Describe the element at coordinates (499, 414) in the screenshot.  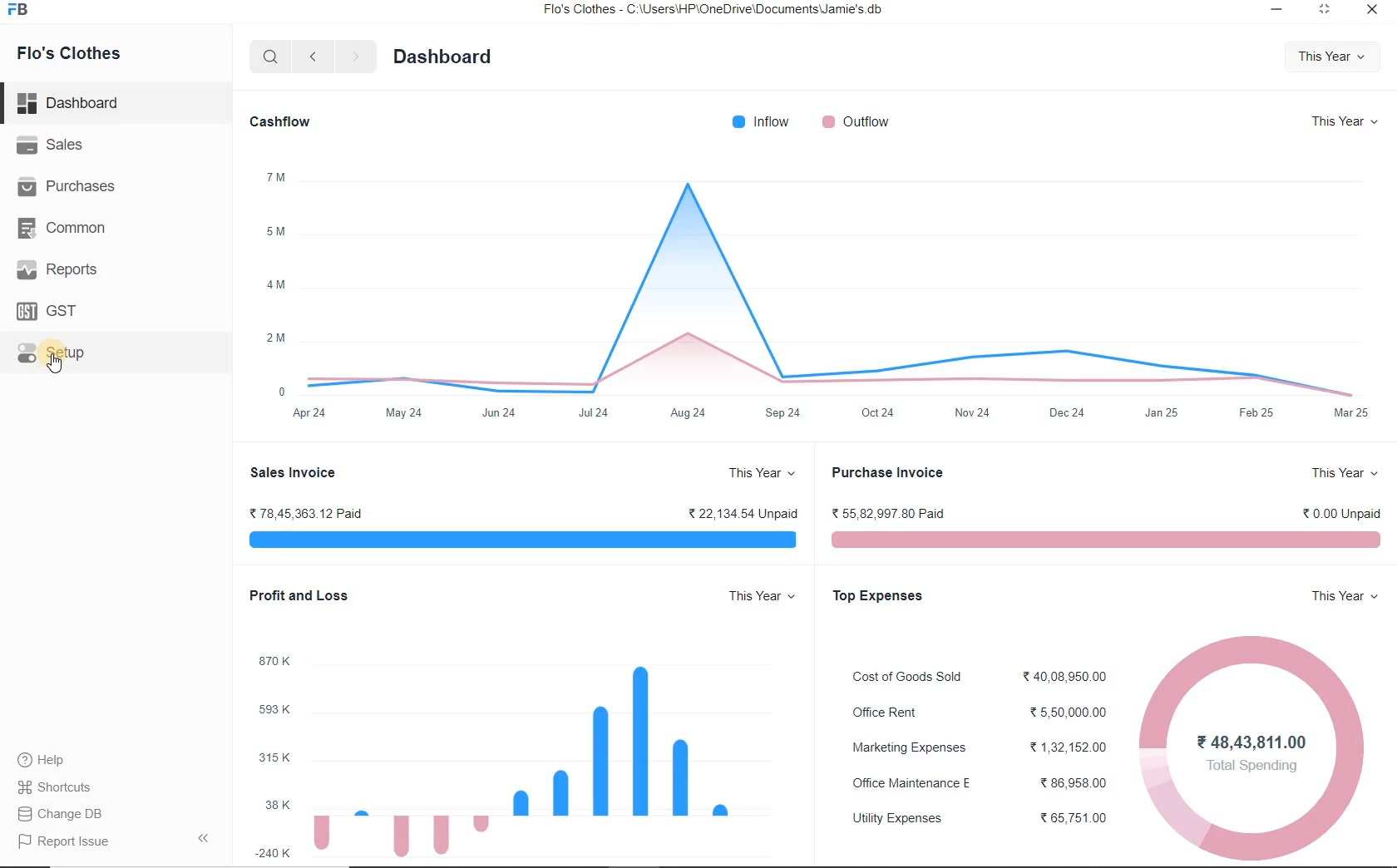
I see `Jun 24` at that location.